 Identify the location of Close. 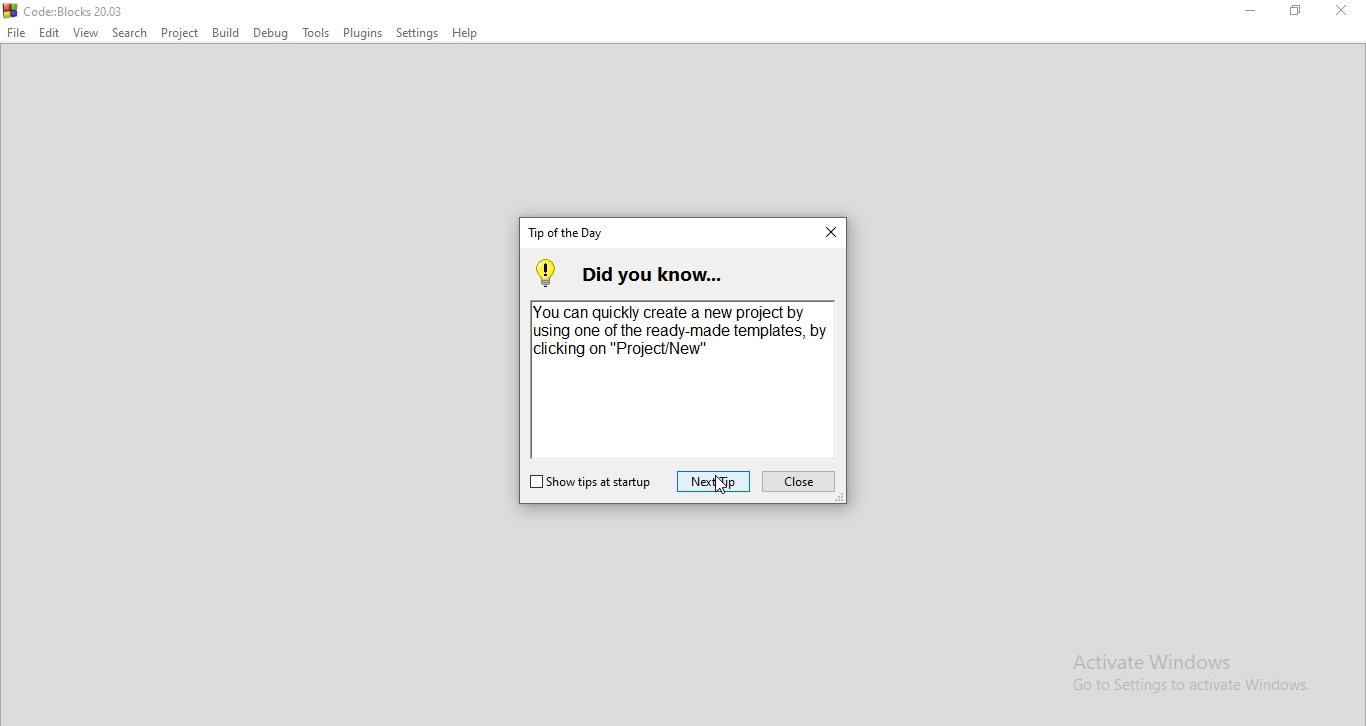
(1337, 11).